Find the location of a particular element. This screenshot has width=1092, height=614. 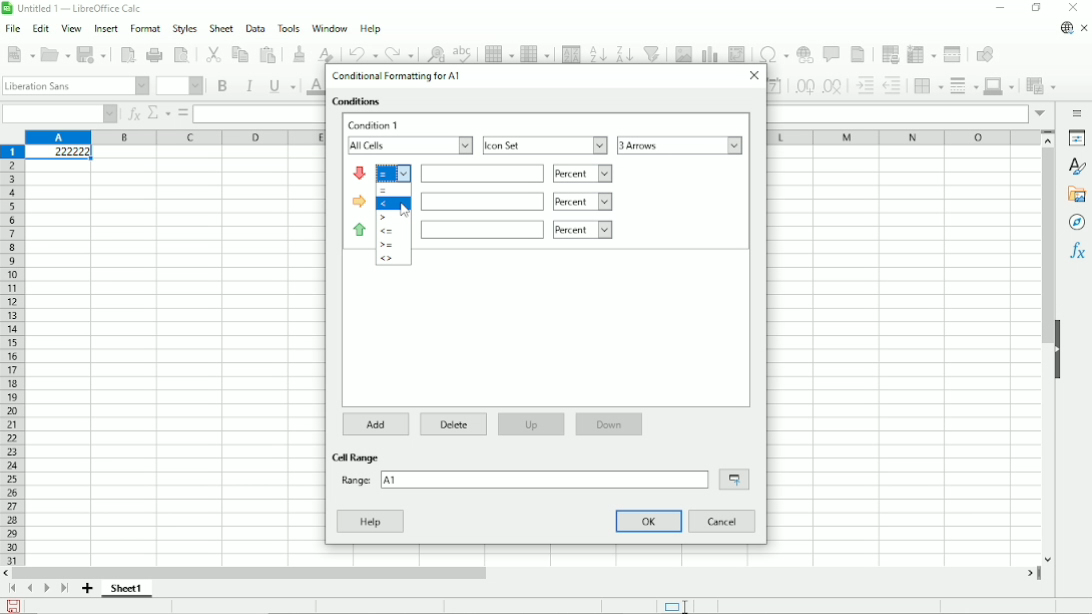

Sheet is located at coordinates (219, 28).